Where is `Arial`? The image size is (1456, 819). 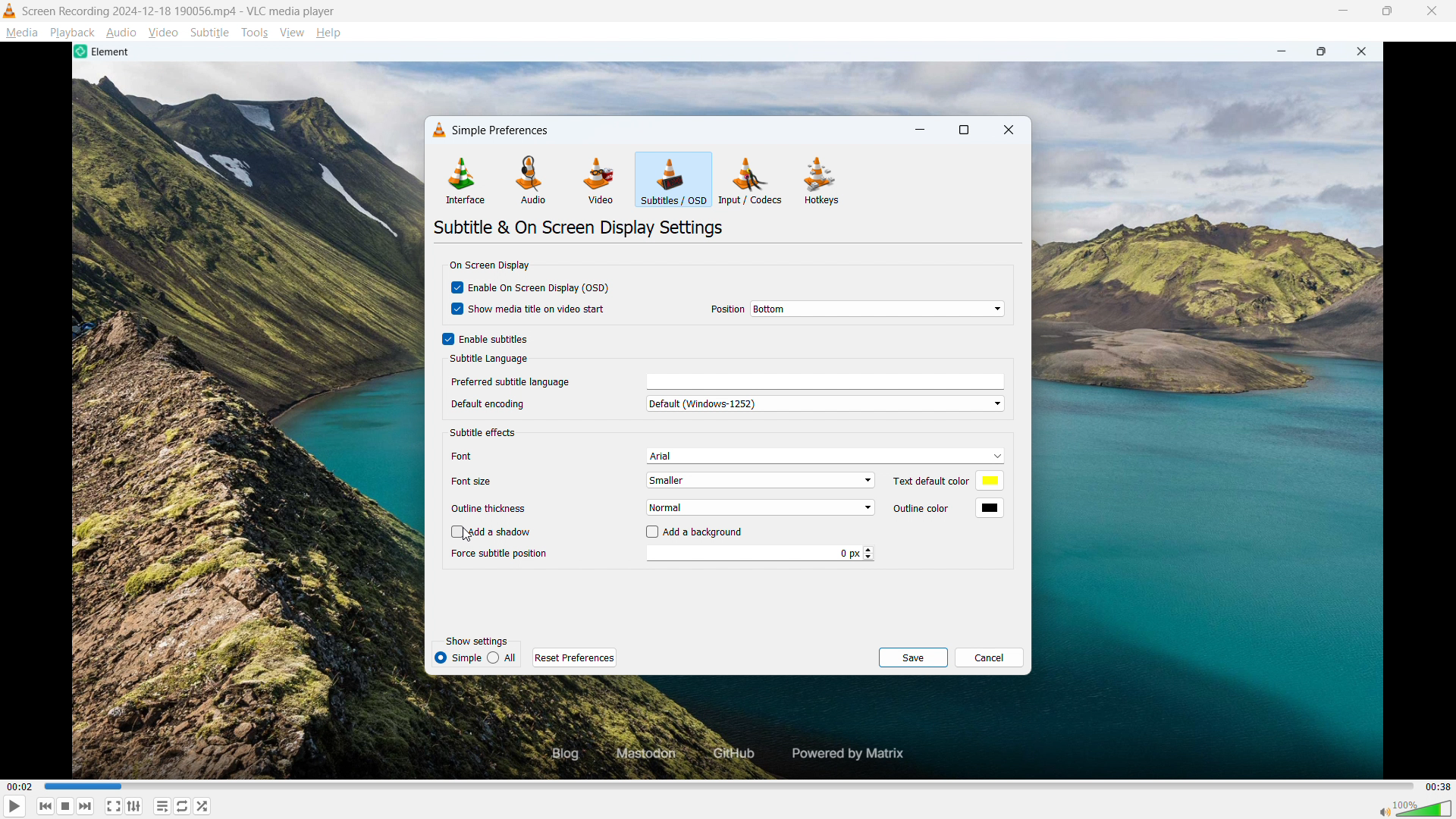 Arial is located at coordinates (827, 455).